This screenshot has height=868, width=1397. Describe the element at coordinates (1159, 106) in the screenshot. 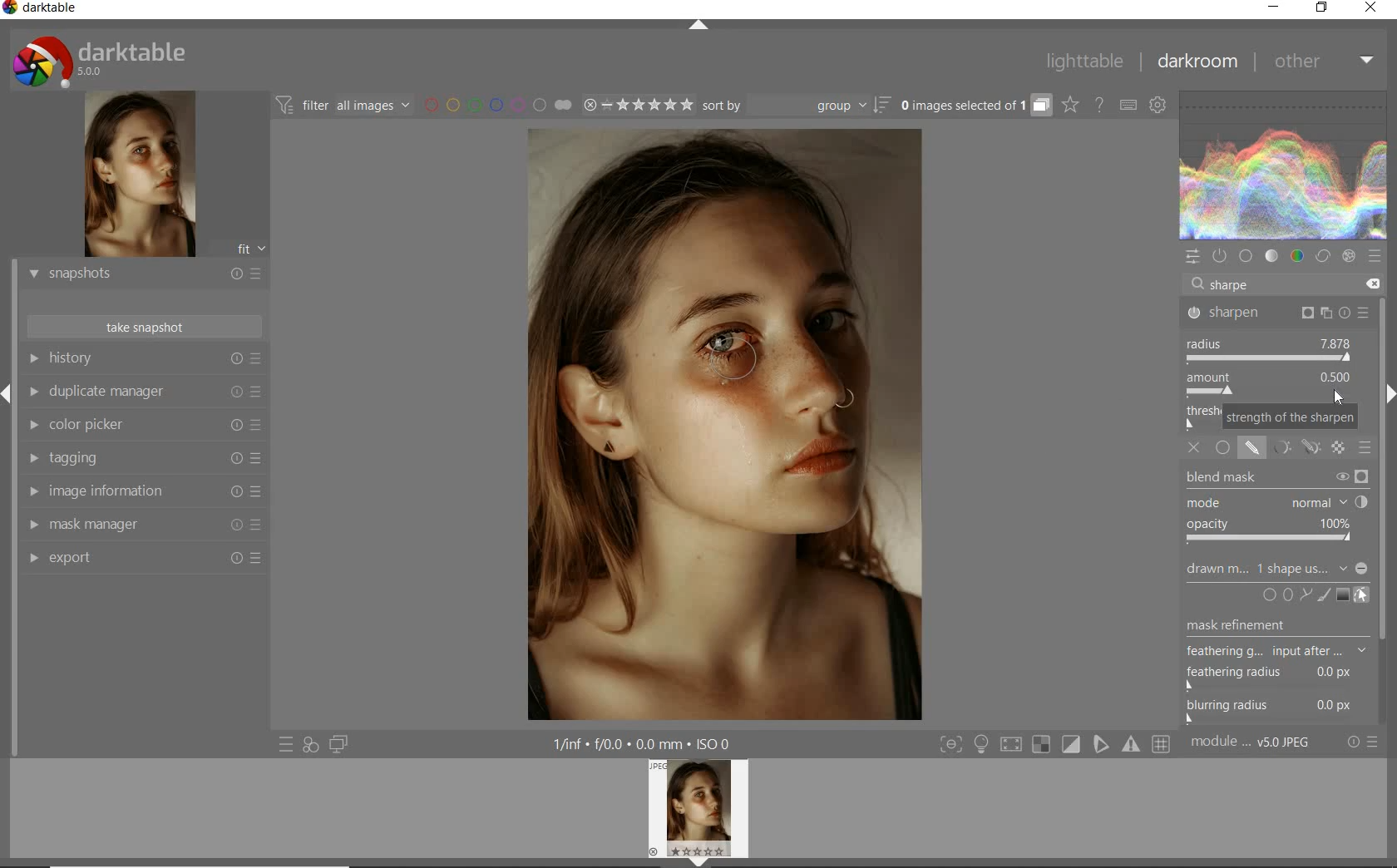

I see `show global preferences` at that location.